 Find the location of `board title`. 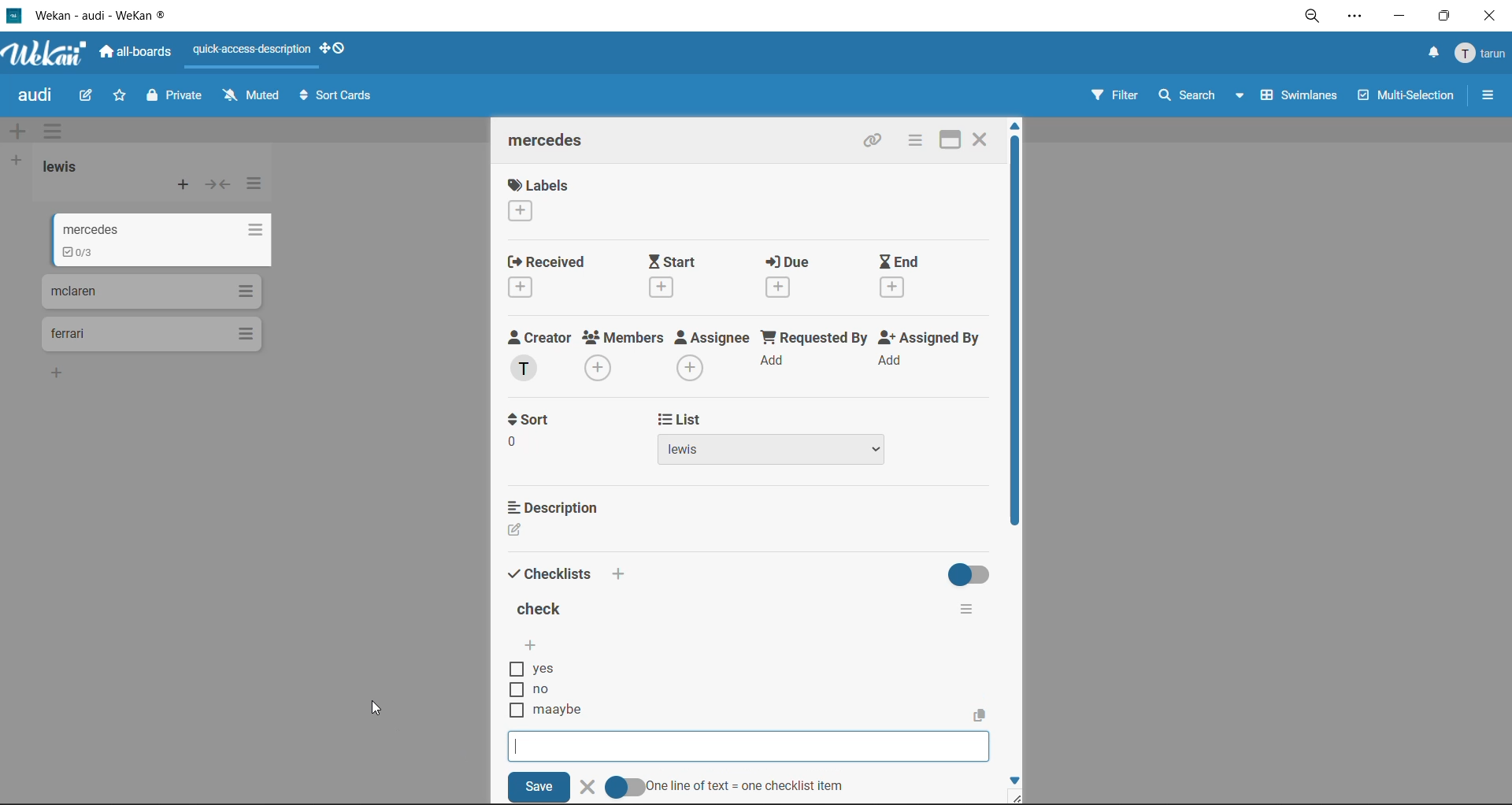

board title is located at coordinates (37, 98).